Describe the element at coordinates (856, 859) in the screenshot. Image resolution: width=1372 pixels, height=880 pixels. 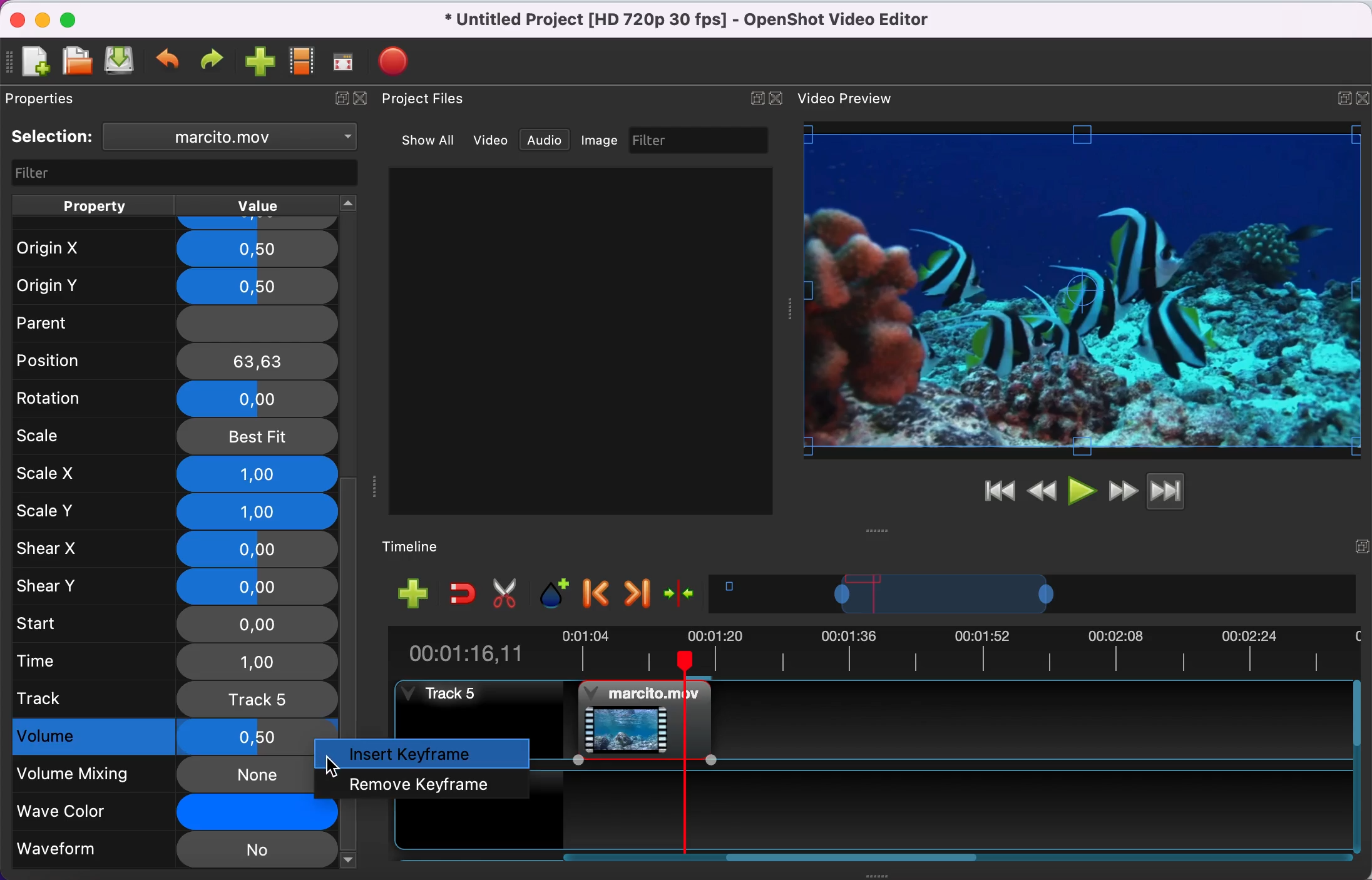
I see `scroll bar` at that location.